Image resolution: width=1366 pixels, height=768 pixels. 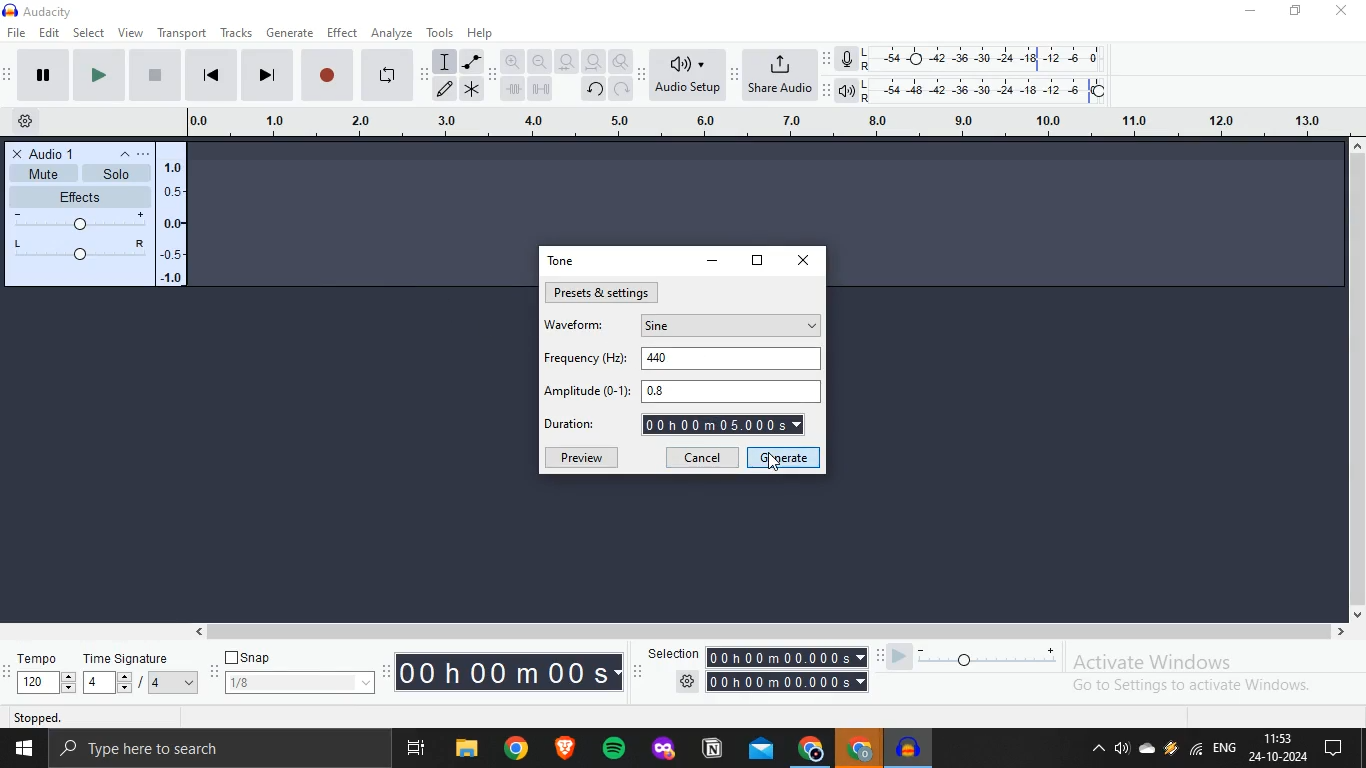 What do you see at coordinates (546, 91) in the screenshot?
I see `Multi time shift` at bounding box center [546, 91].